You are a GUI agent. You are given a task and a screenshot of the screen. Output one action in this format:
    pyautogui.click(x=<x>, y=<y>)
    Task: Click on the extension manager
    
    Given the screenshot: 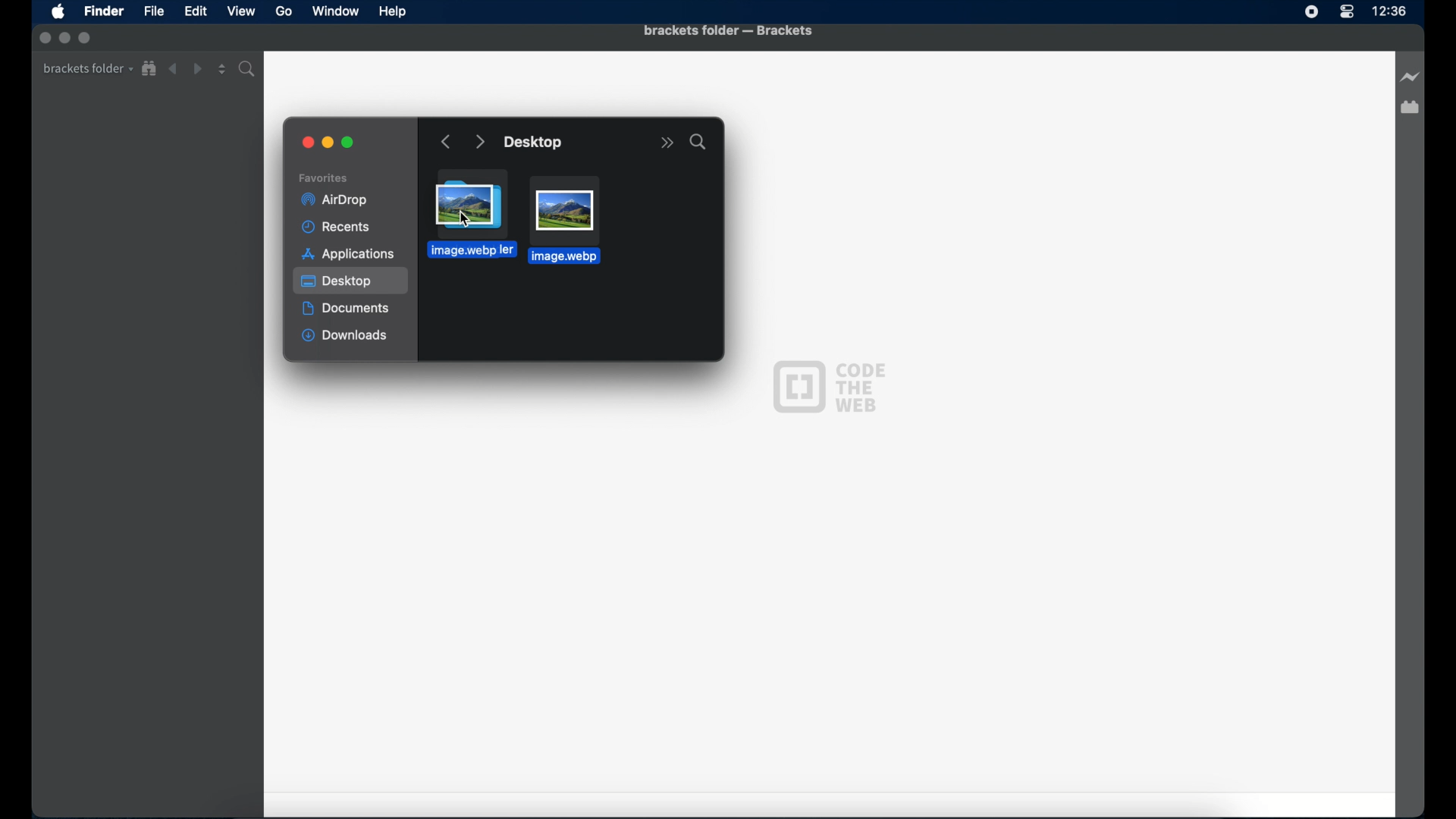 What is the action you would take?
    pyautogui.click(x=1410, y=108)
    